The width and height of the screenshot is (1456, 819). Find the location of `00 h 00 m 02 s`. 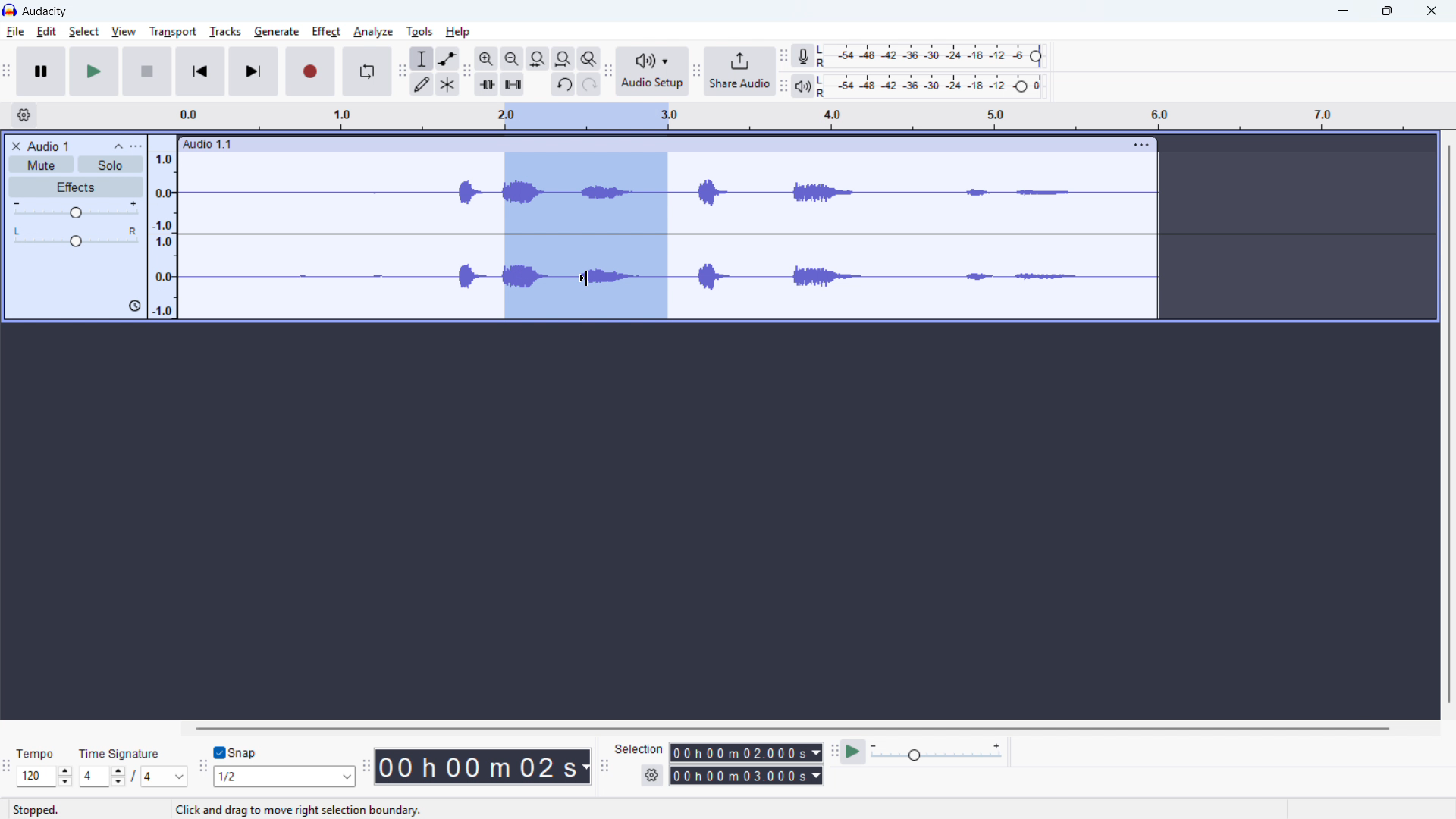

00 h 00 m 02 s is located at coordinates (485, 767).